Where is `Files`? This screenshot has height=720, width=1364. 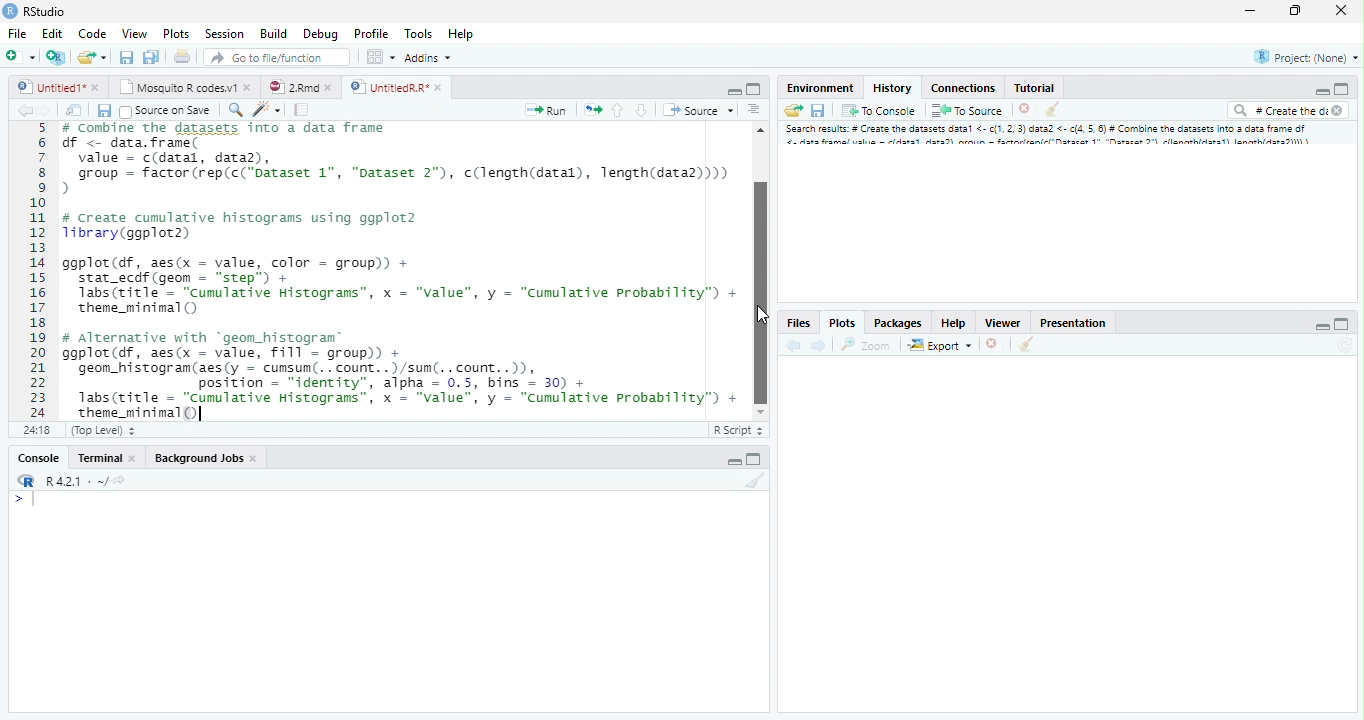 Files is located at coordinates (798, 321).